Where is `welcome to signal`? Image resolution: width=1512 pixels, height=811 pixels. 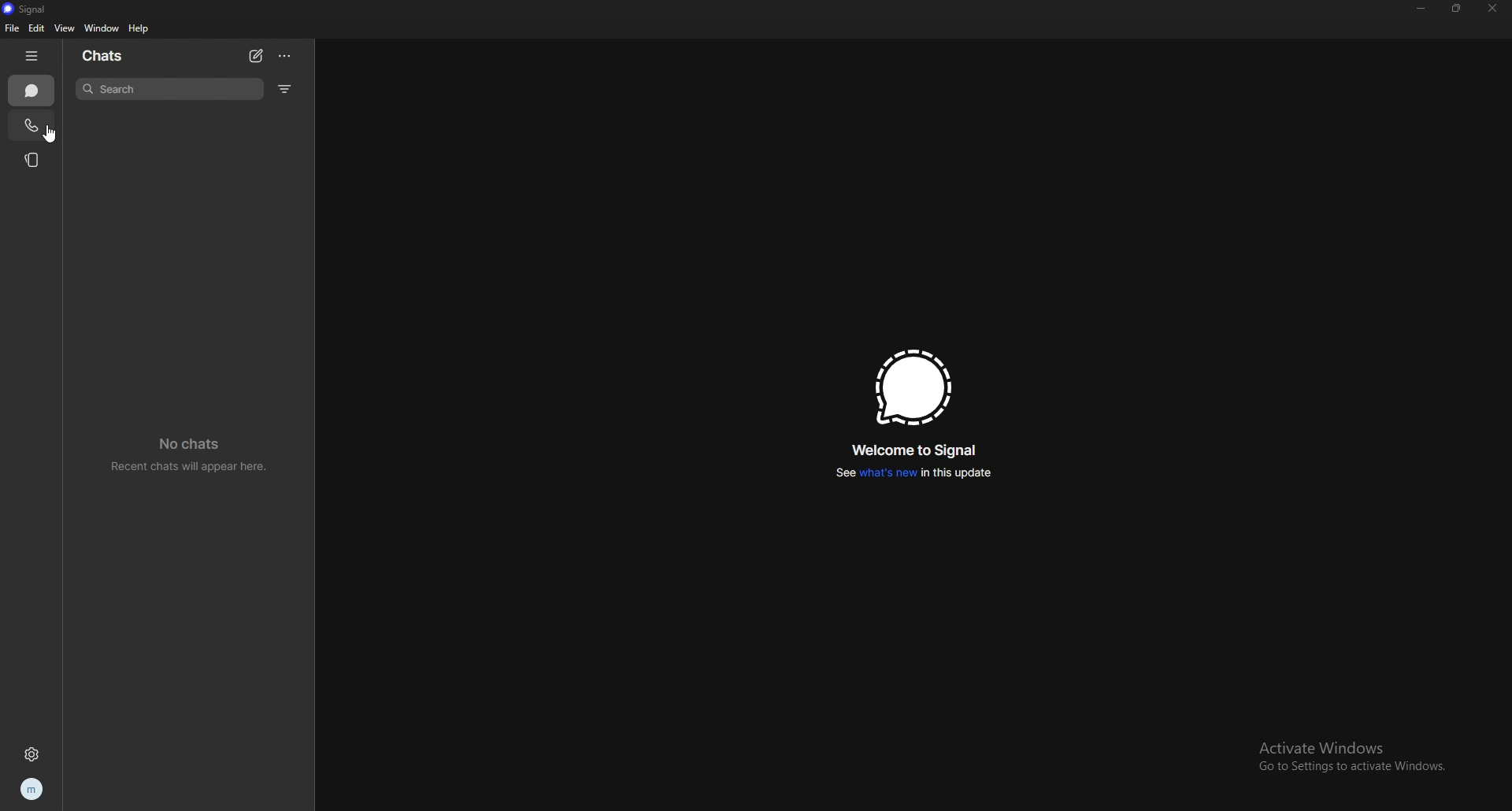 welcome to signal is located at coordinates (912, 450).